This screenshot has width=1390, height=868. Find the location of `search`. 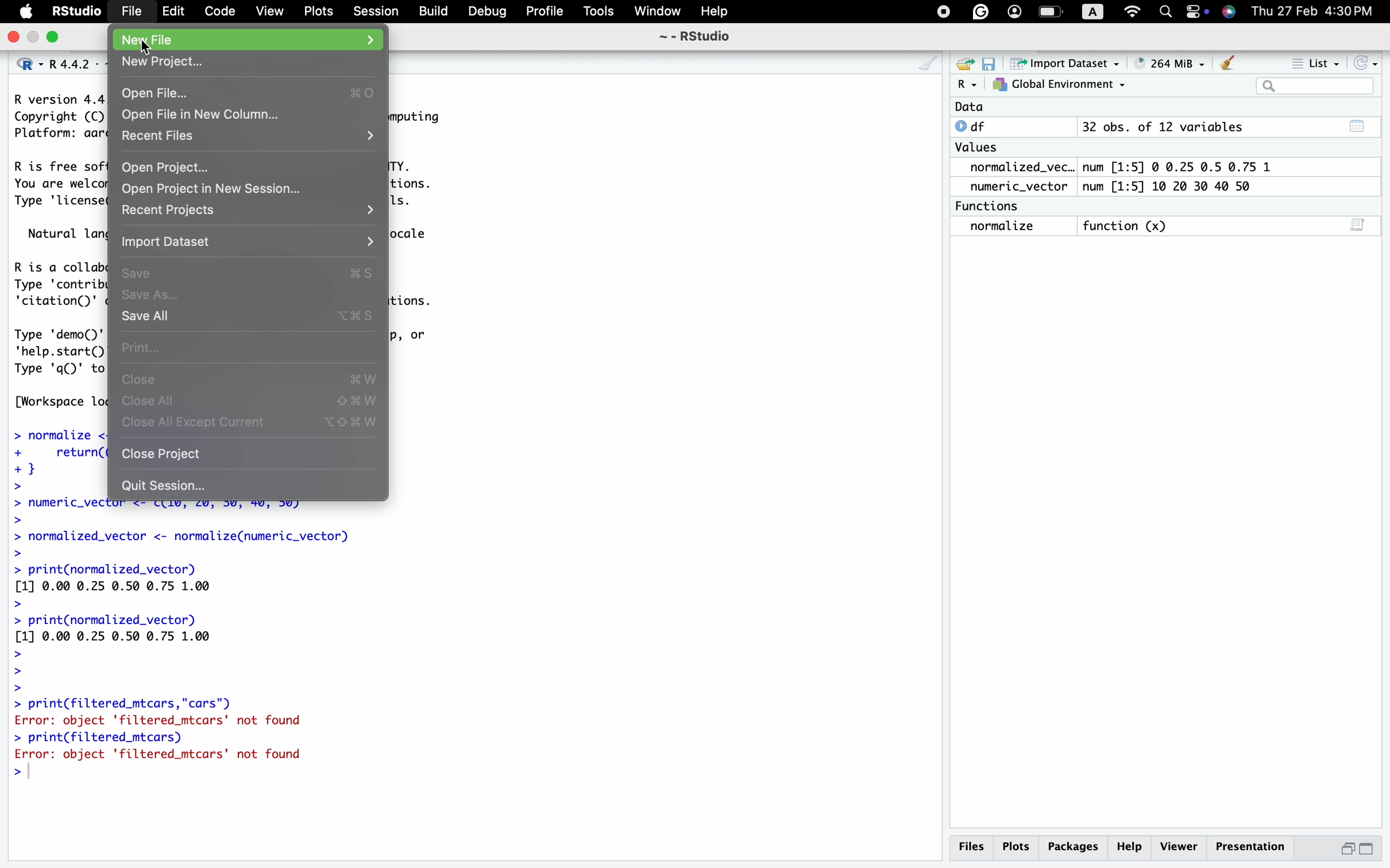

search is located at coordinates (1165, 13).